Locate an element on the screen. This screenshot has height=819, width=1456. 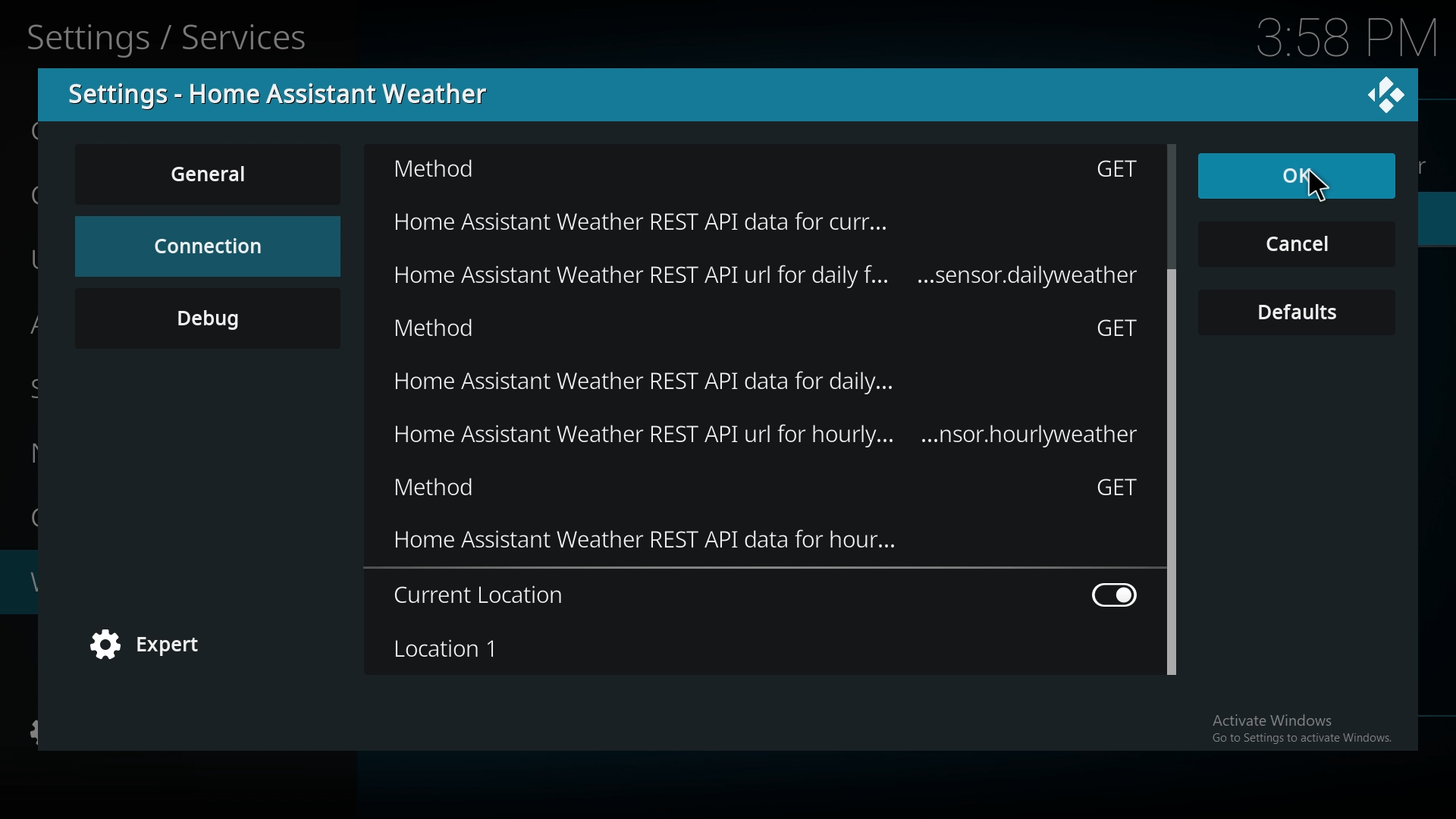
Home assistant weather rest API data for hour is located at coordinates (767, 547).